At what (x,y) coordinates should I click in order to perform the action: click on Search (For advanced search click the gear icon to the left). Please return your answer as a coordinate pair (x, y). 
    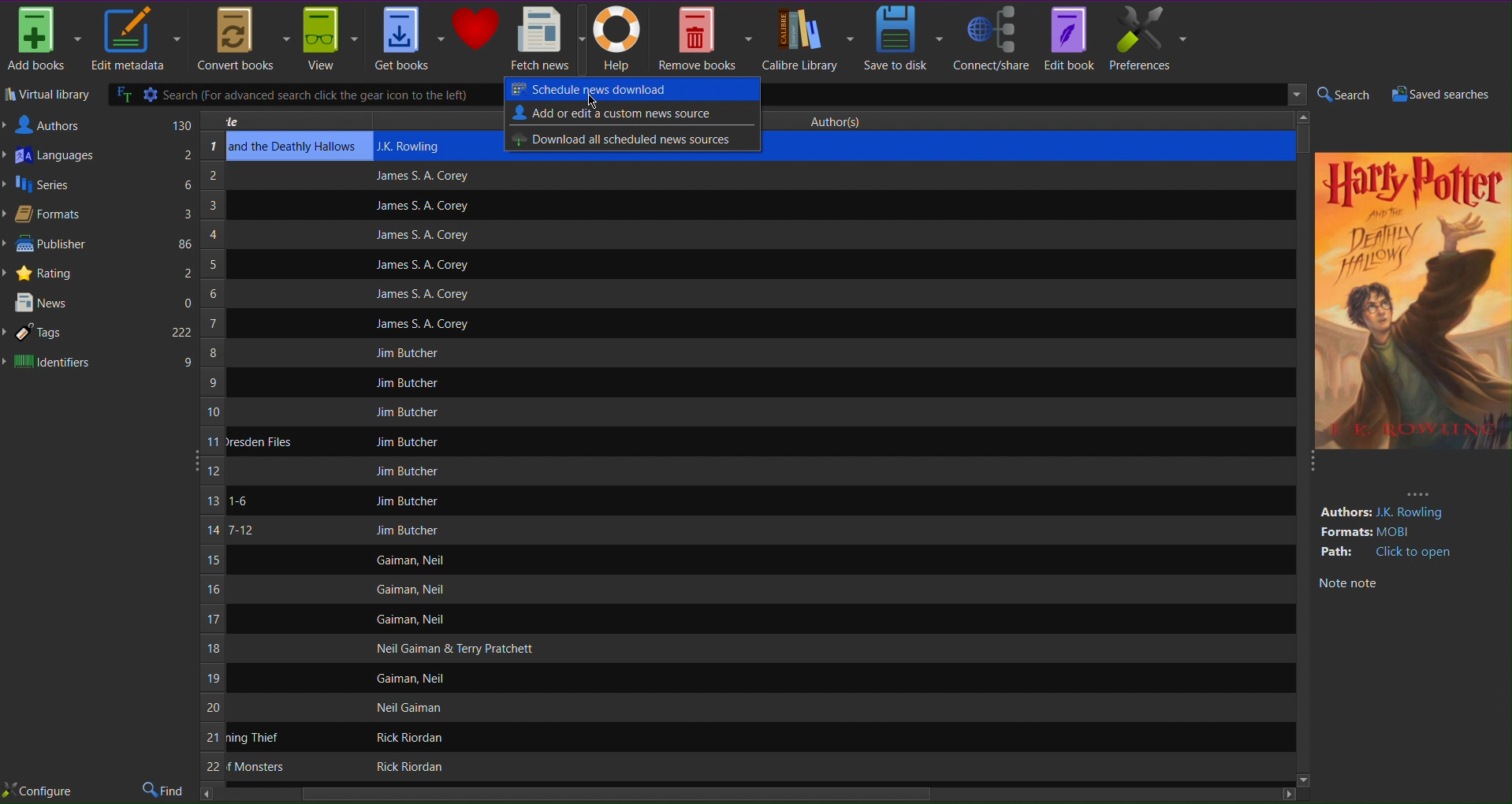
    Looking at the image, I should click on (304, 95).